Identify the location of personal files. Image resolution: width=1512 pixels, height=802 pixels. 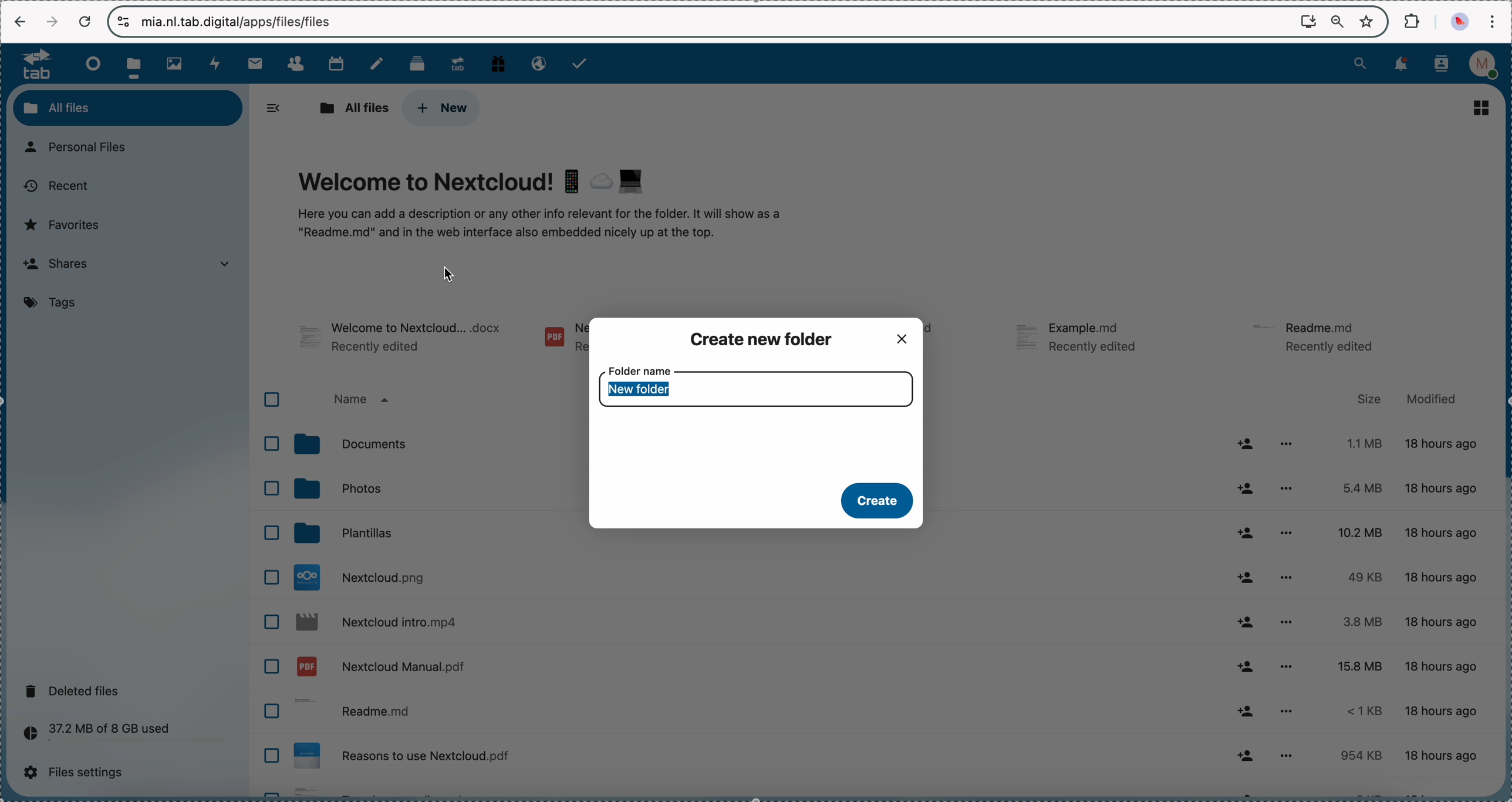
(82, 148).